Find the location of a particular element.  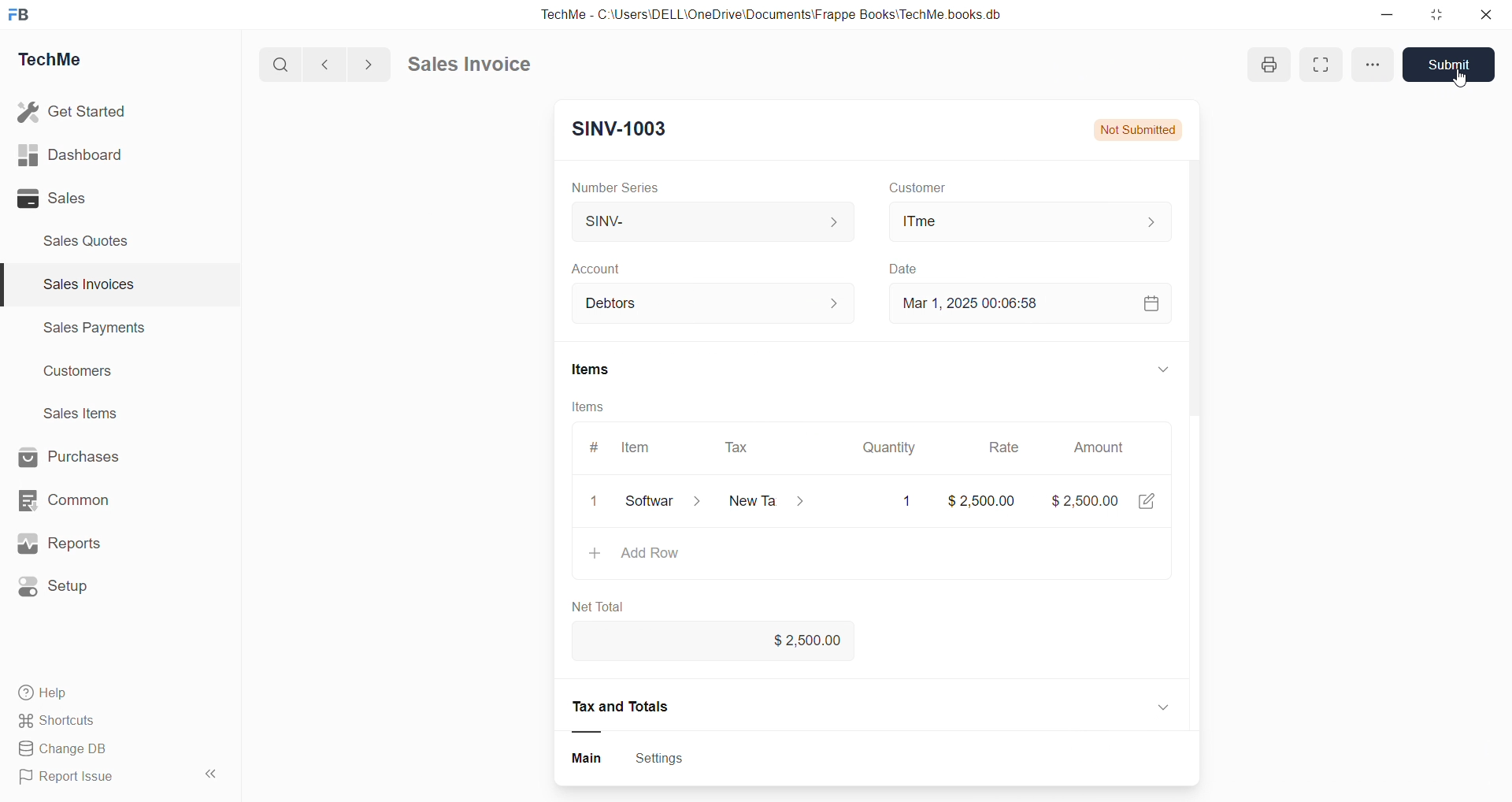

Sales Quotes is located at coordinates (92, 240).